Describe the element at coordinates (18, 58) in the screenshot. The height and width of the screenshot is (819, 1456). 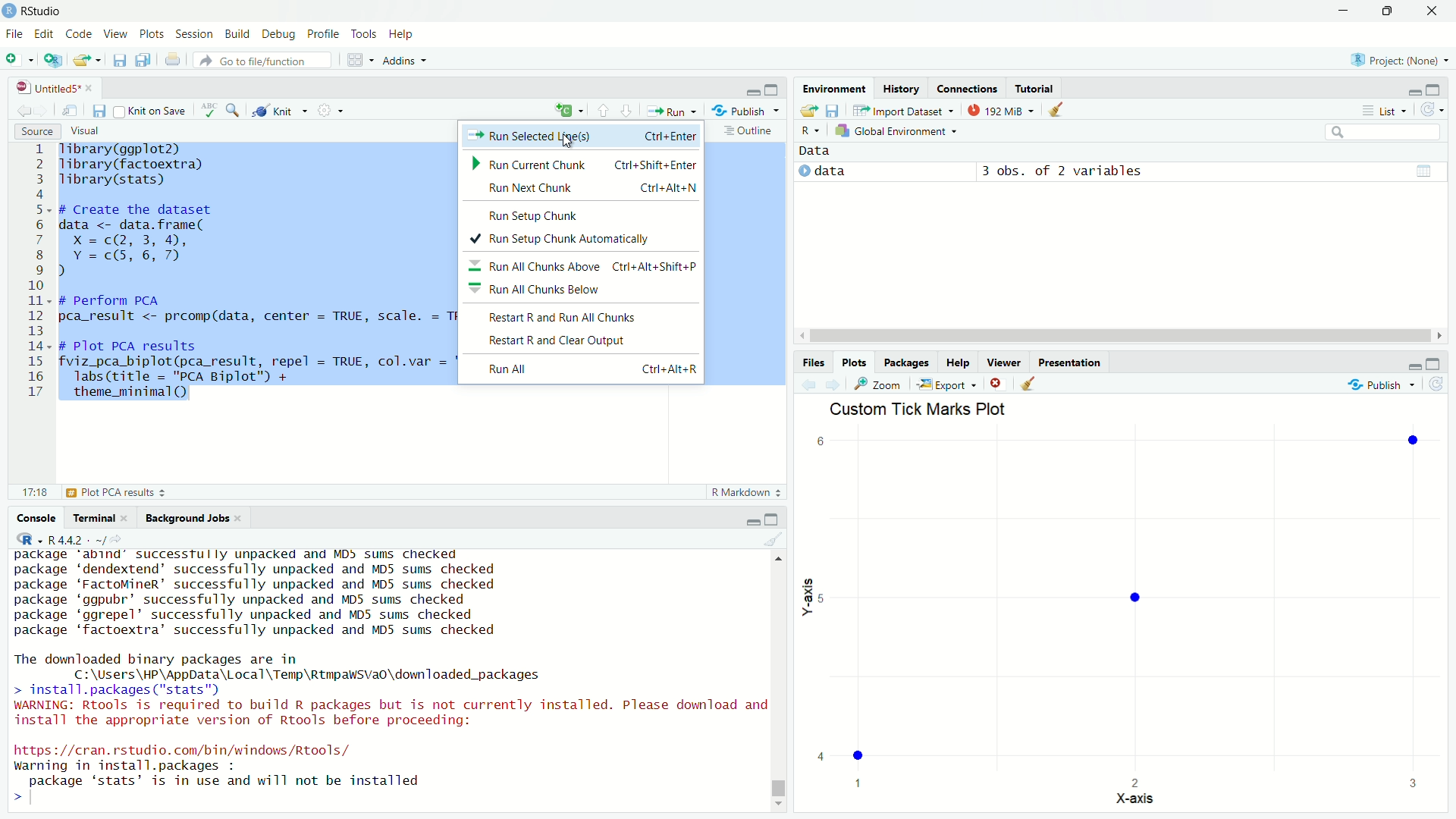
I see `New file` at that location.